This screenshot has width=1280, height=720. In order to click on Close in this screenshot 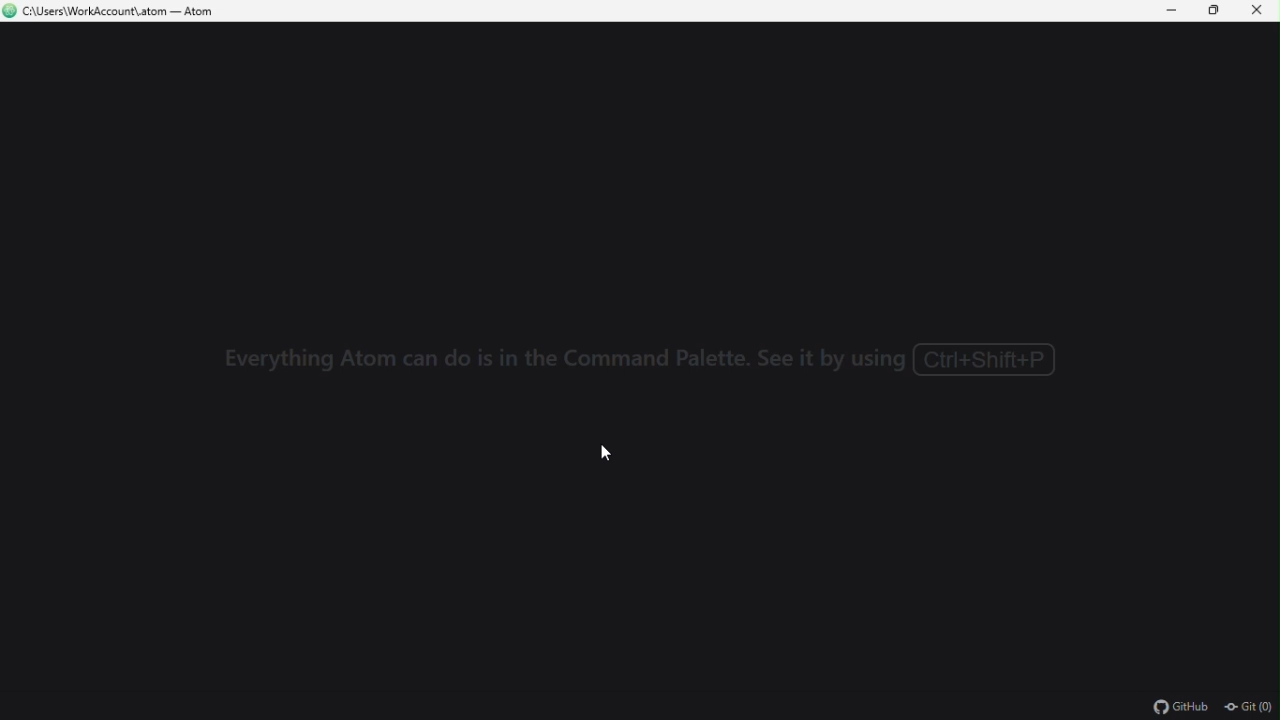, I will do `click(1262, 13)`.